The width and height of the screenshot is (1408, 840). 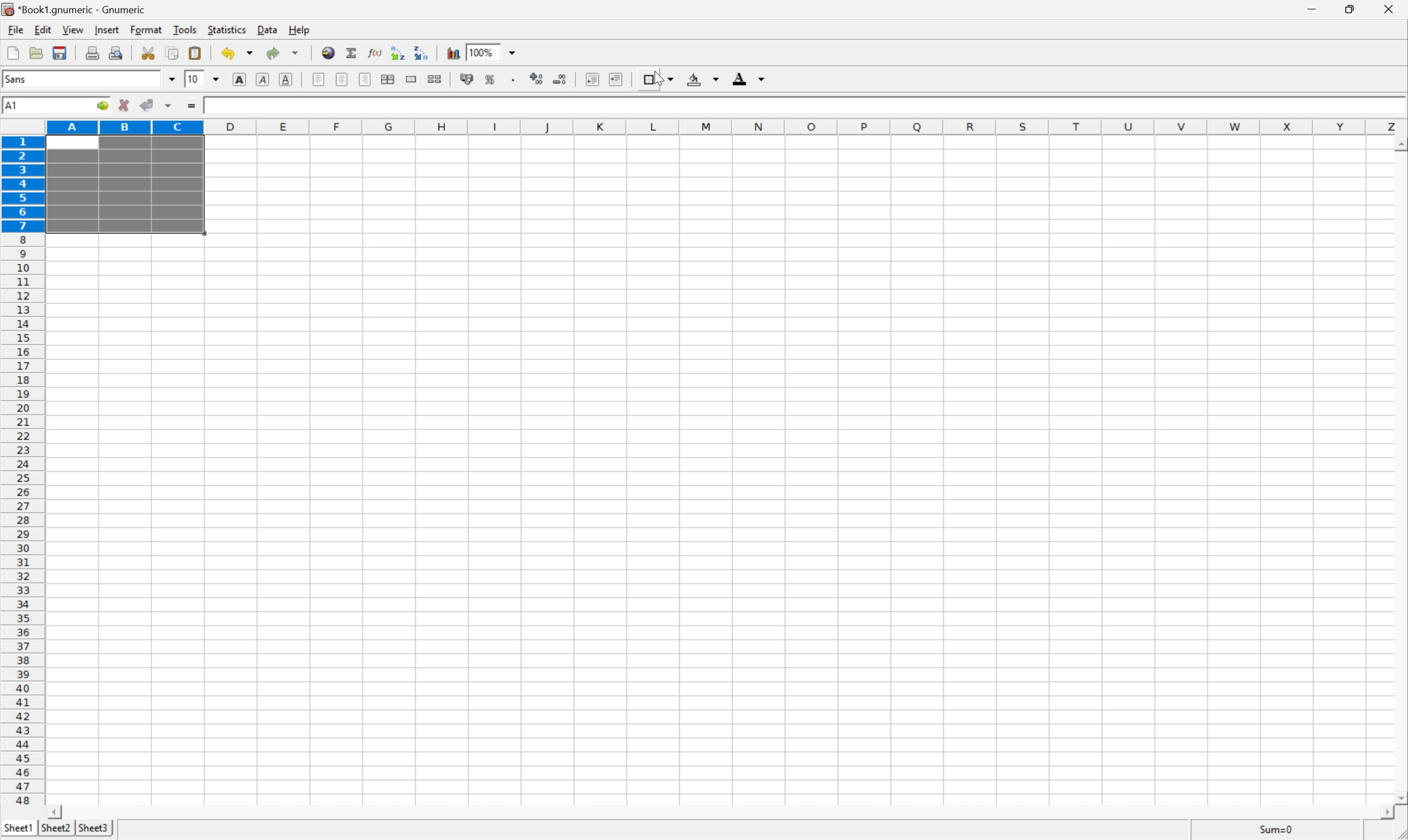 What do you see at coordinates (411, 77) in the screenshot?
I see `merge a range of cells` at bounding box center [411, 77].